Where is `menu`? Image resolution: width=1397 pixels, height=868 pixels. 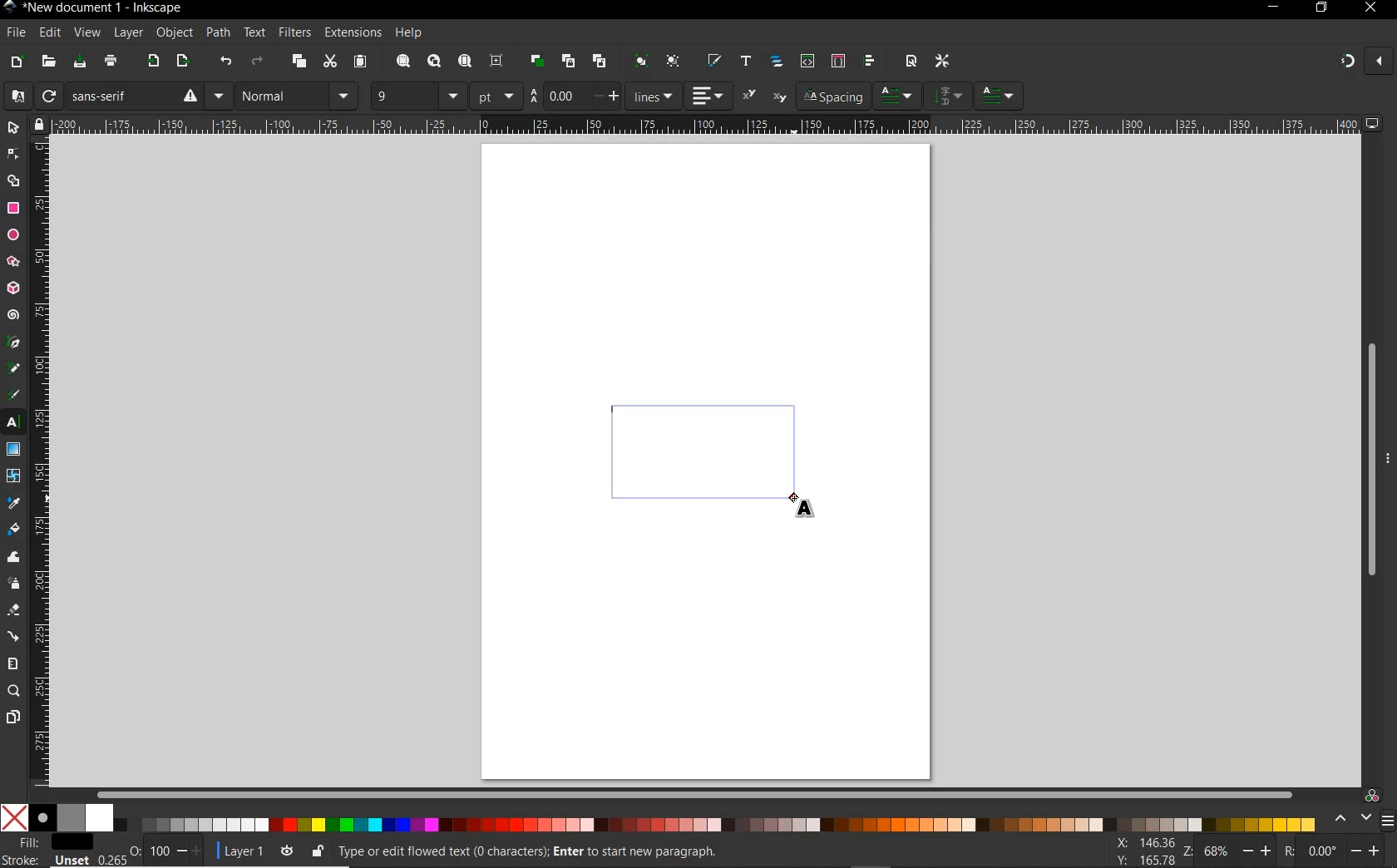
menu is located at coordinates (1387, 821).